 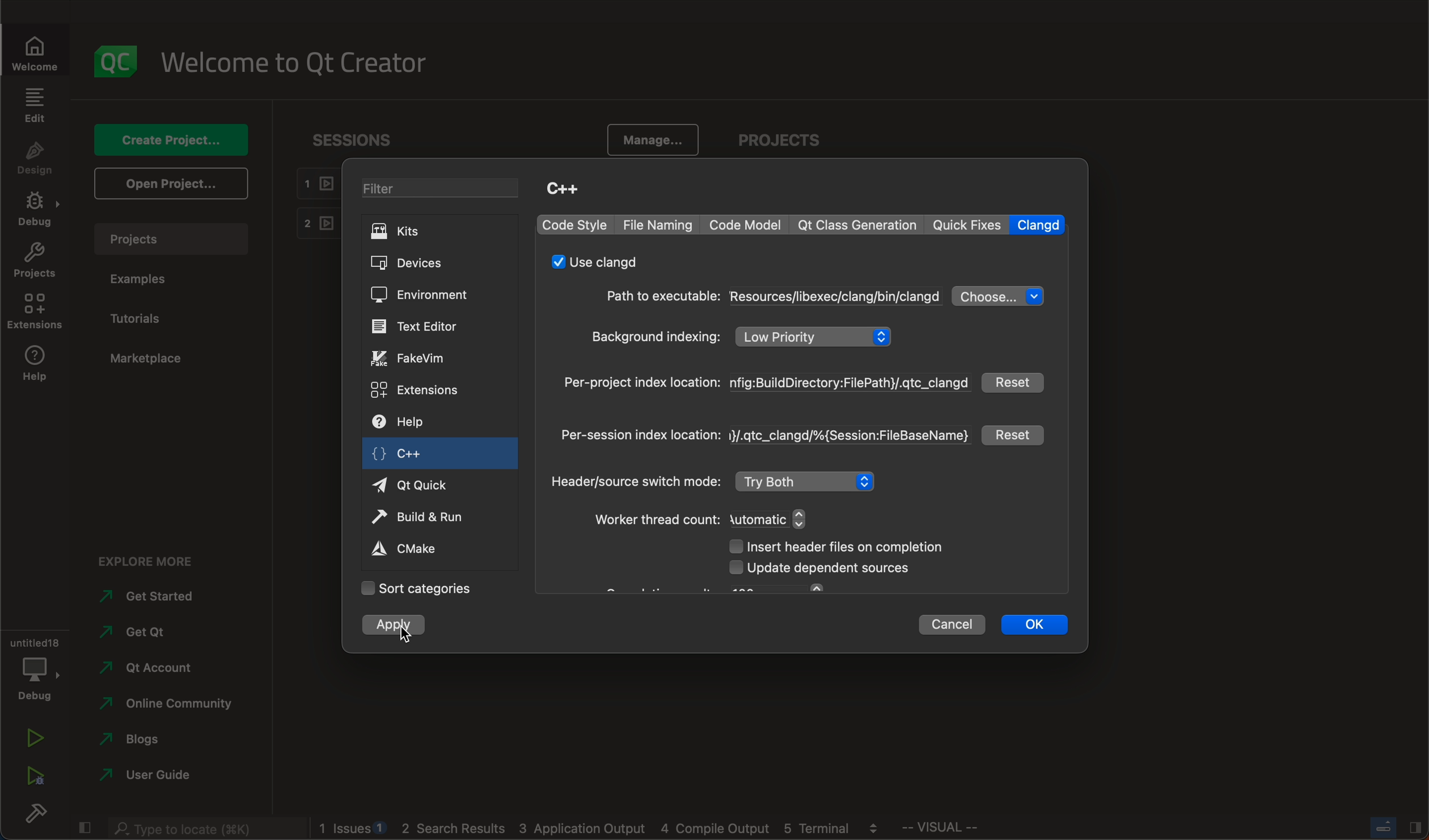 I want to click on welcome, so click(x=31, y=54).